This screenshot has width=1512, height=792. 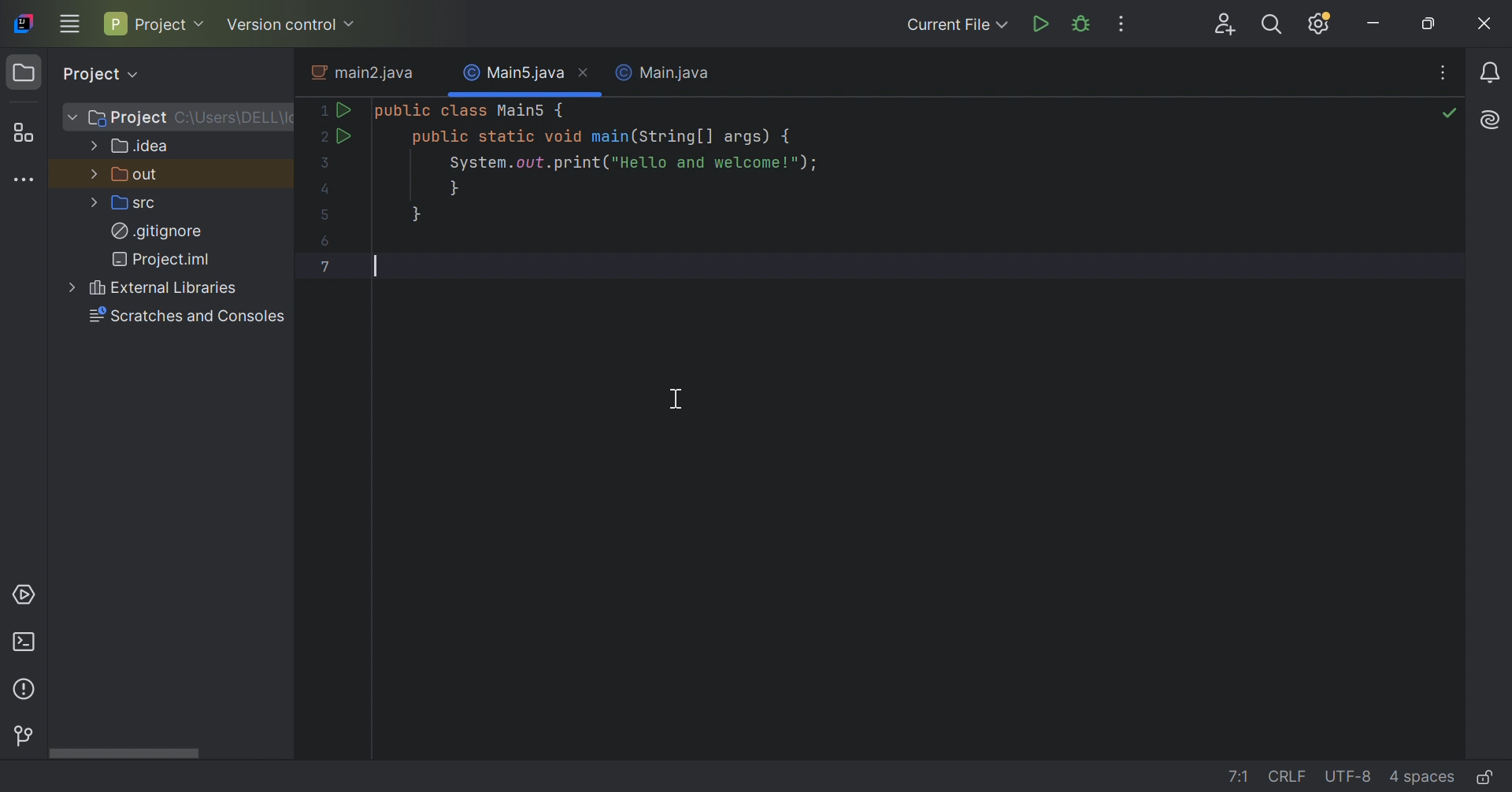 I want to click on 7, so click(x=327, y=266).